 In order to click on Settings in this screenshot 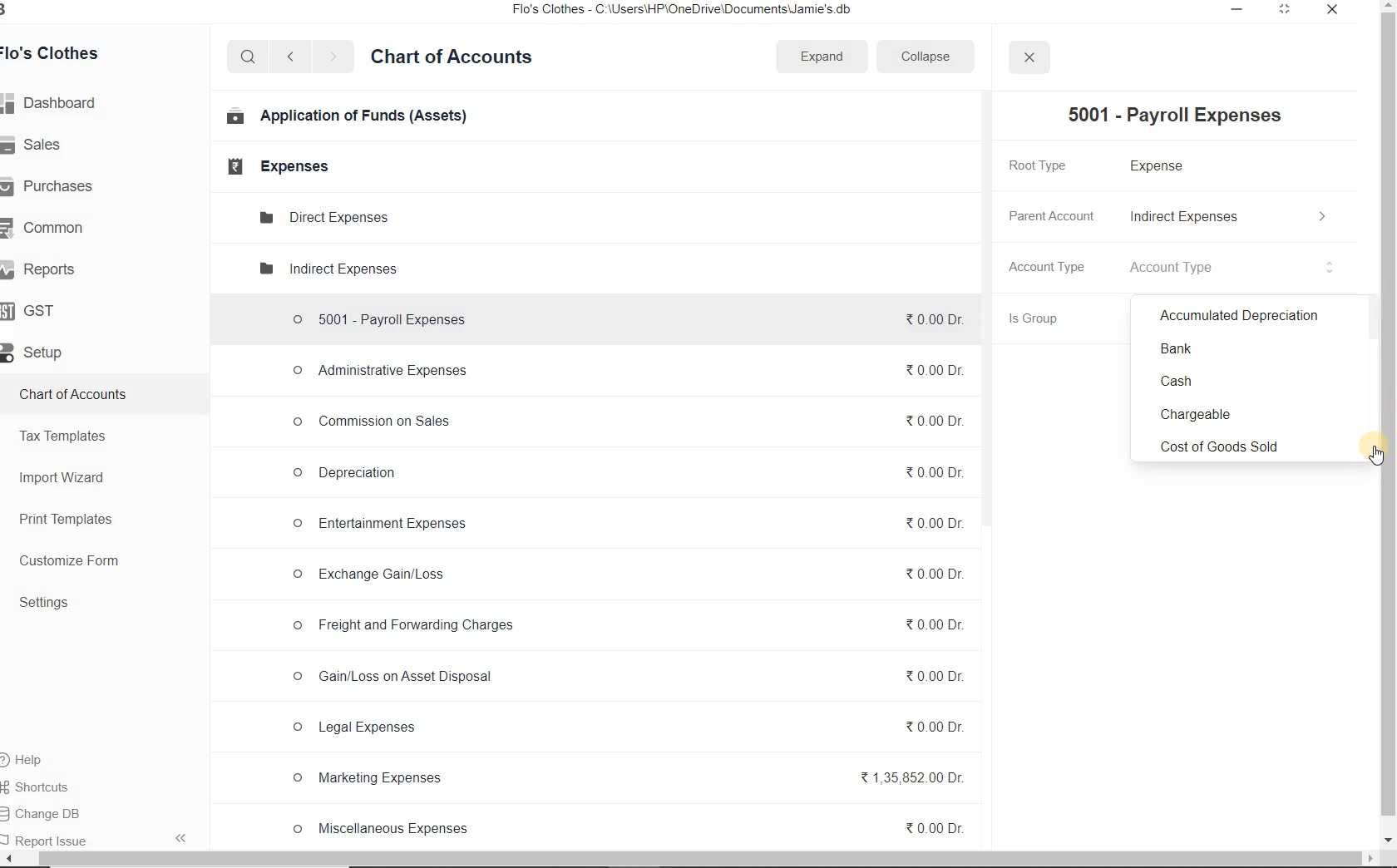, I will do `click(49, 602)`.